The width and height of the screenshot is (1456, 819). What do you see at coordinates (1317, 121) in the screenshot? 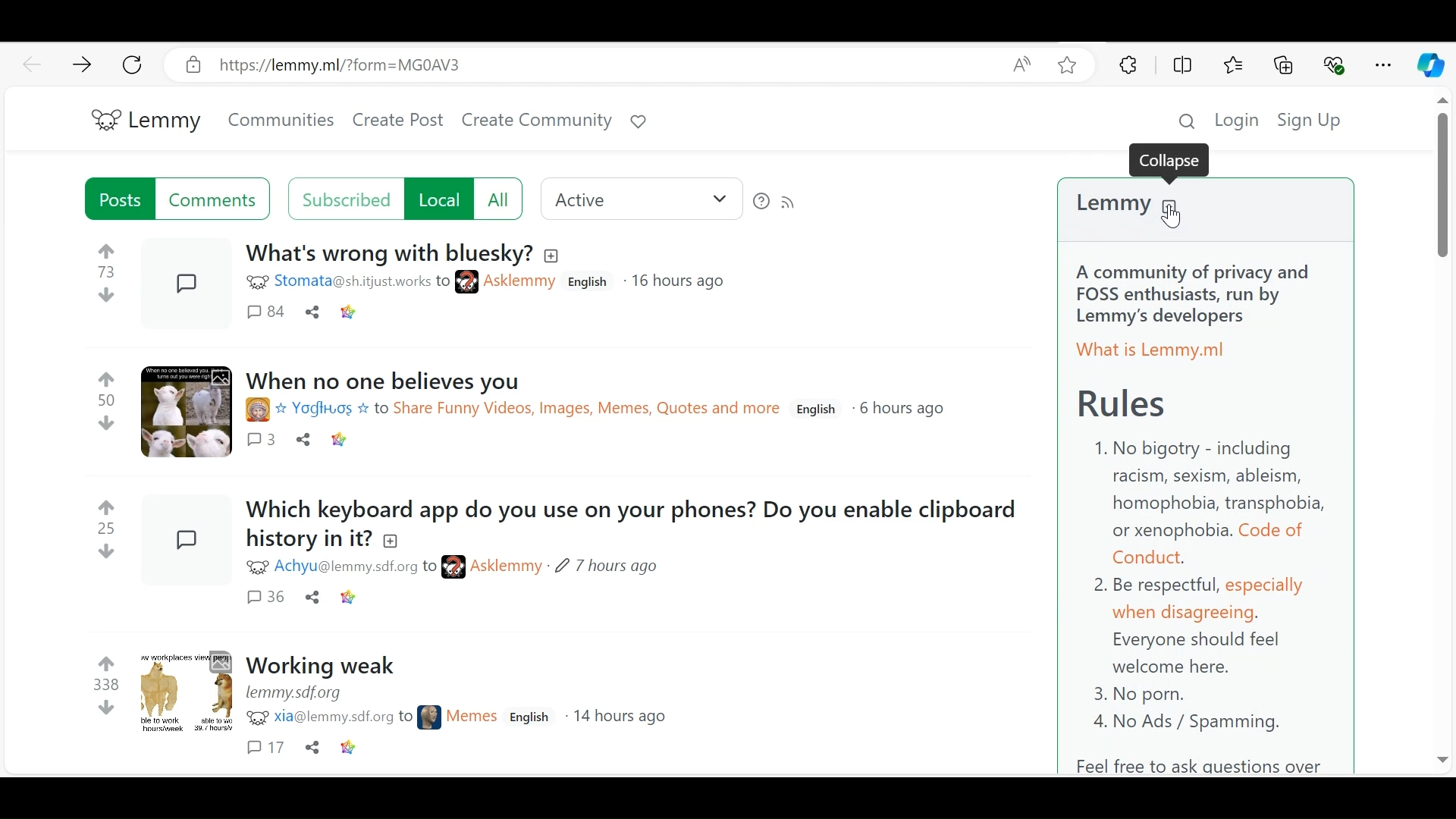
I see `Sign Up` at bounding box center [1317, 121].